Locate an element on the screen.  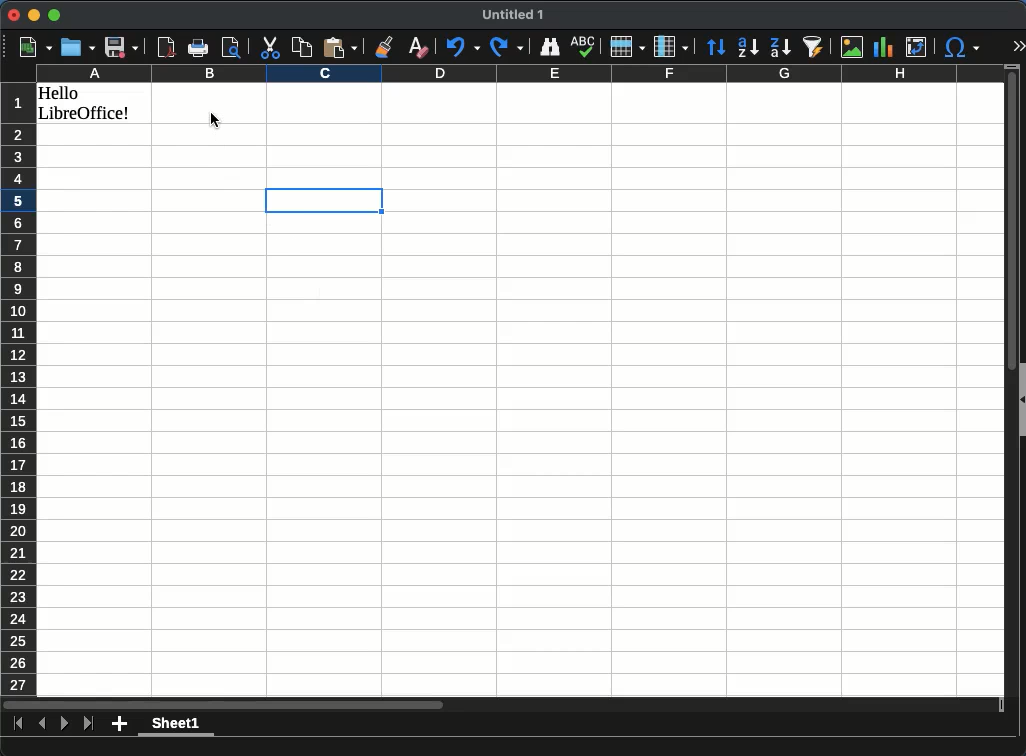
new is located at coordinates (31, 45).